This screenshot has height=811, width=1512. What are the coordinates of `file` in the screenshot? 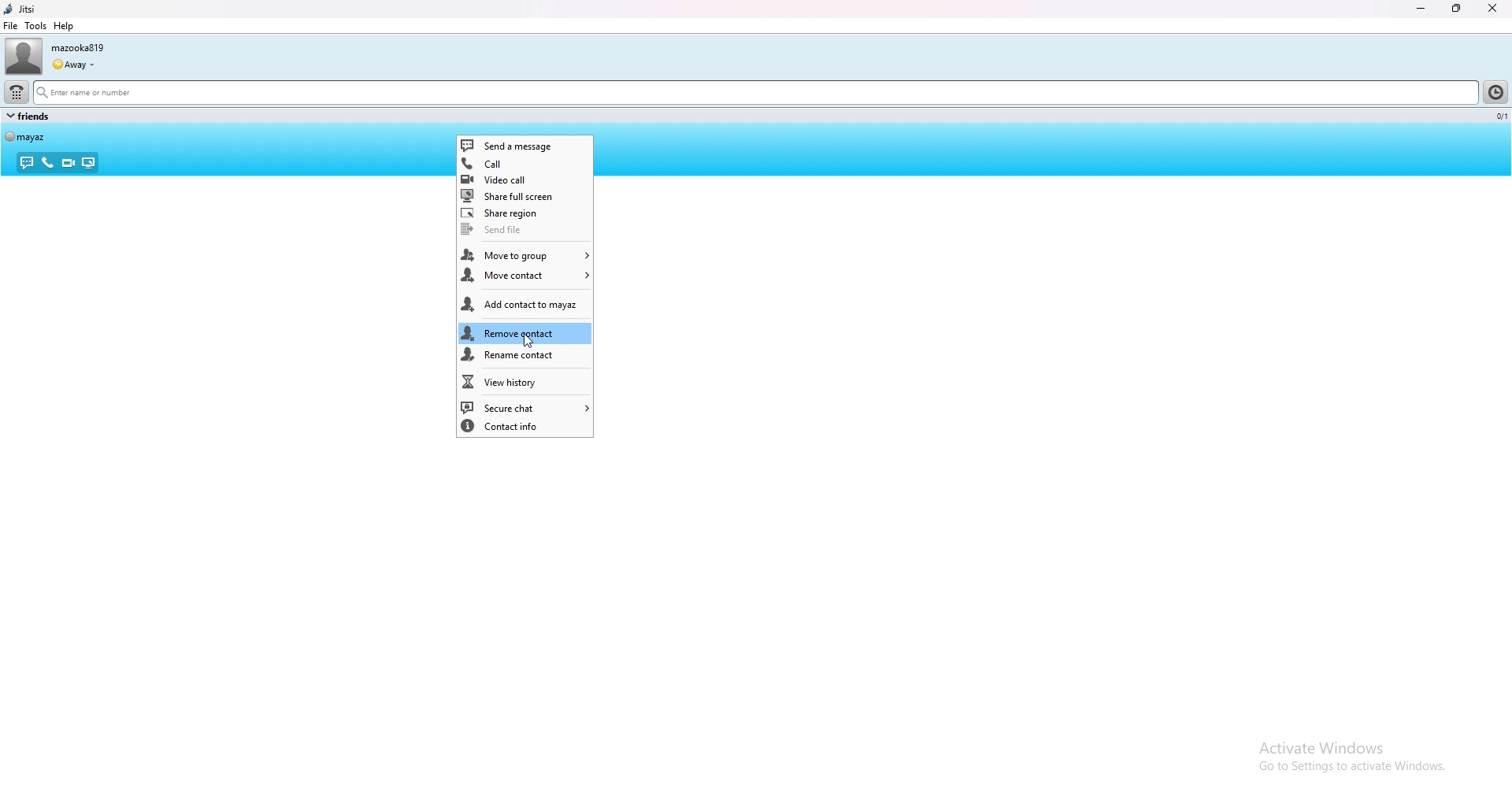 It's located at (11, 26).